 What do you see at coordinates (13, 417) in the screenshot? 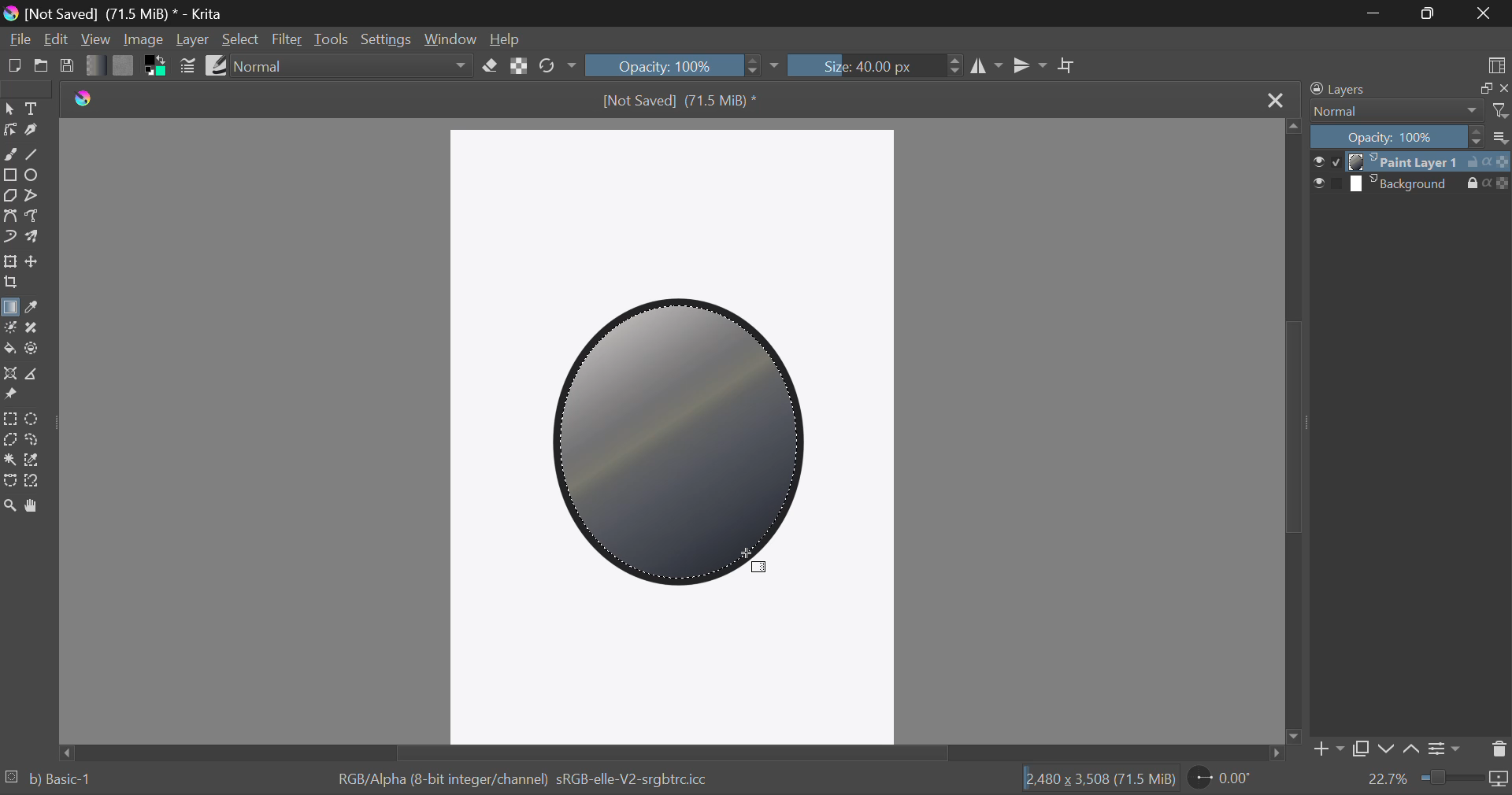
I see `Rectangle Selection` at bounding box center [13, 417].